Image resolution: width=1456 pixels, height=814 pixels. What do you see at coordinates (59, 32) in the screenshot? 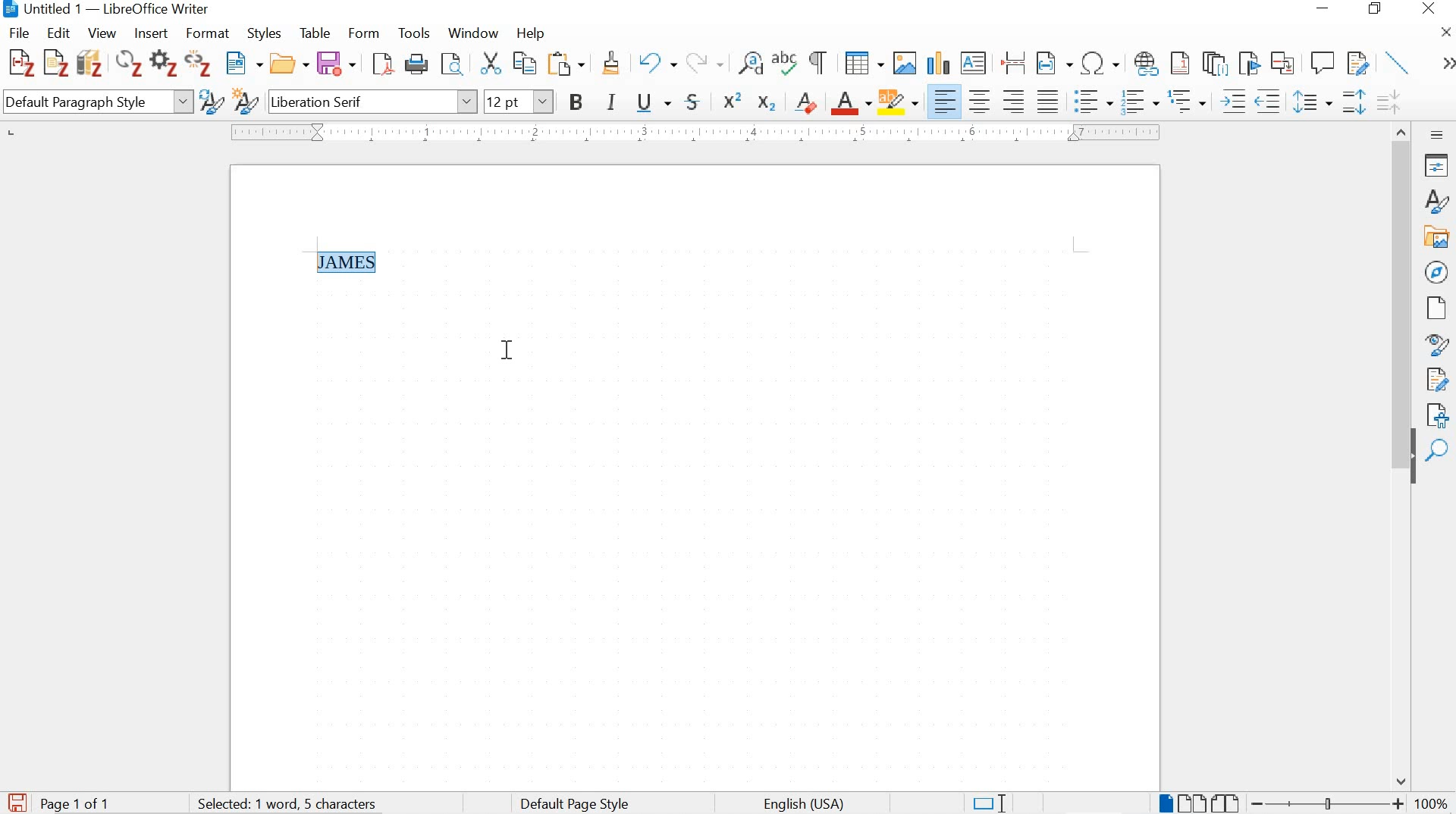
I see `edit` at bounding box center [59, 32].